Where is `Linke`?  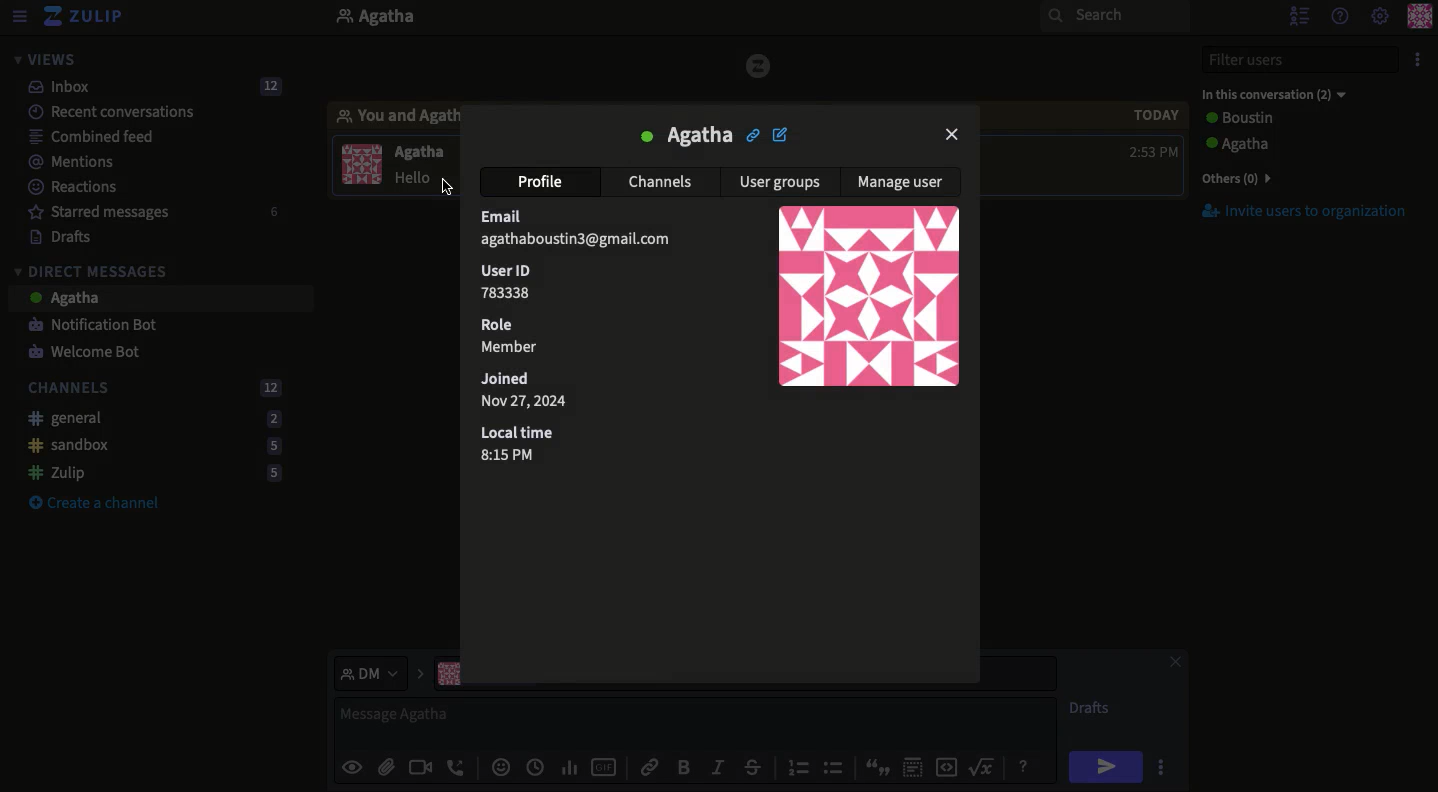 Linke is located at coordinates (752, 133).